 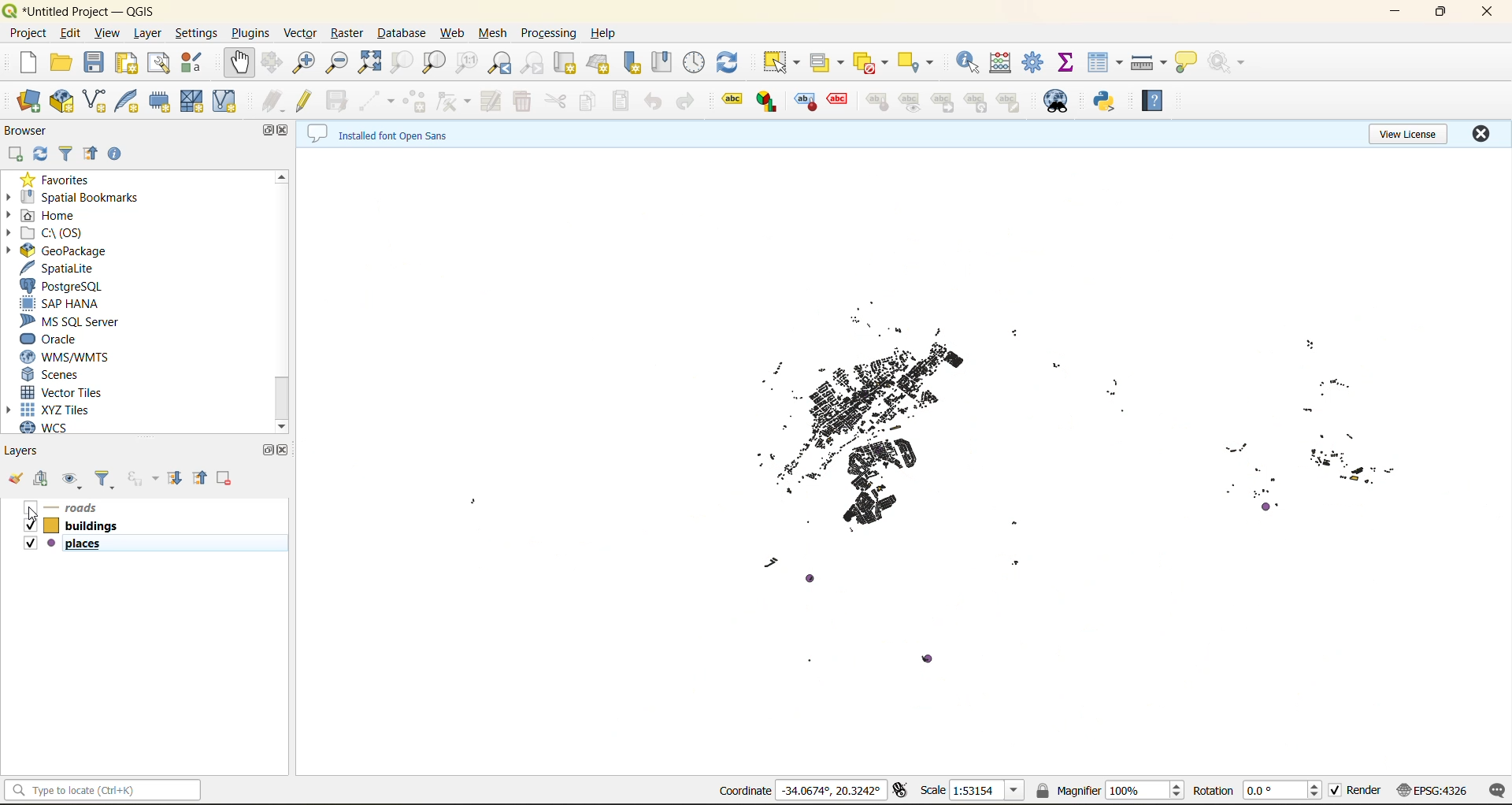 What do you see at coordinates (557, 101) in the screenshot?
I see `cut` at bounding box center [557, 101].